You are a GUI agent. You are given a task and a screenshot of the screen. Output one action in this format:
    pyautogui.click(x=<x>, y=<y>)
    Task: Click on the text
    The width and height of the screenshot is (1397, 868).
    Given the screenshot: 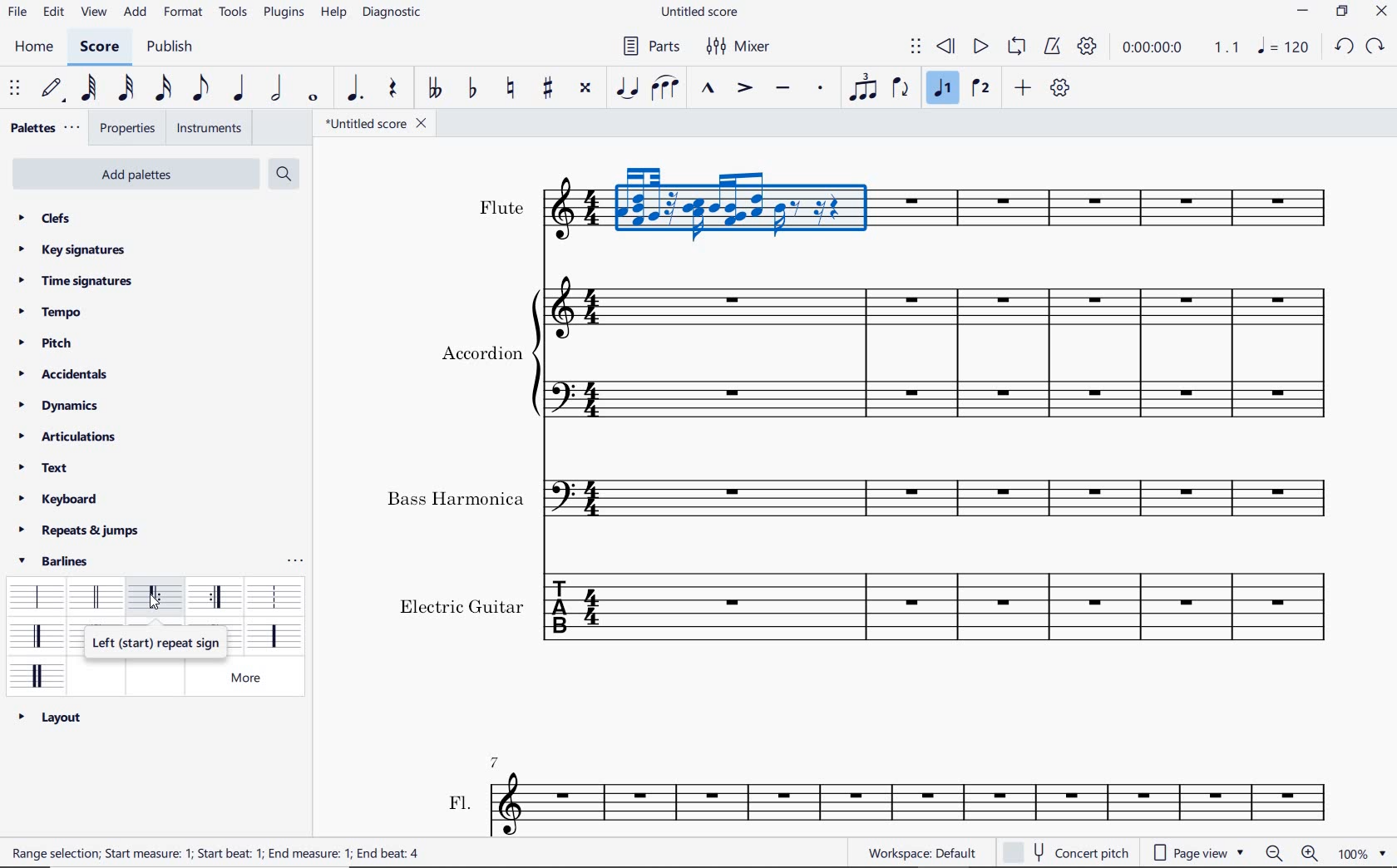 What is the action you would take?
    pyautogui.click(x=43, y=467)
    